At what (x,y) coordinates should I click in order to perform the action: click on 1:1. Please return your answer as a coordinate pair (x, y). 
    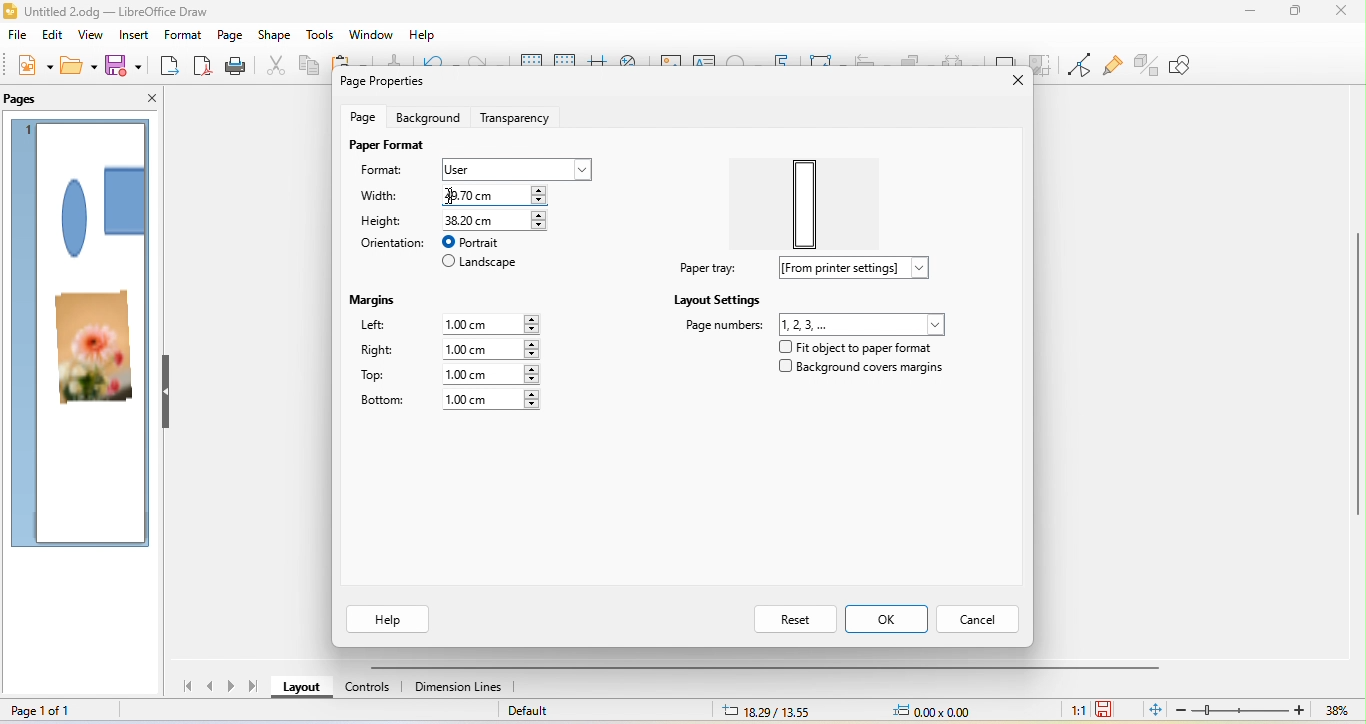
    Looking at the image, I should click on (1074, 711).